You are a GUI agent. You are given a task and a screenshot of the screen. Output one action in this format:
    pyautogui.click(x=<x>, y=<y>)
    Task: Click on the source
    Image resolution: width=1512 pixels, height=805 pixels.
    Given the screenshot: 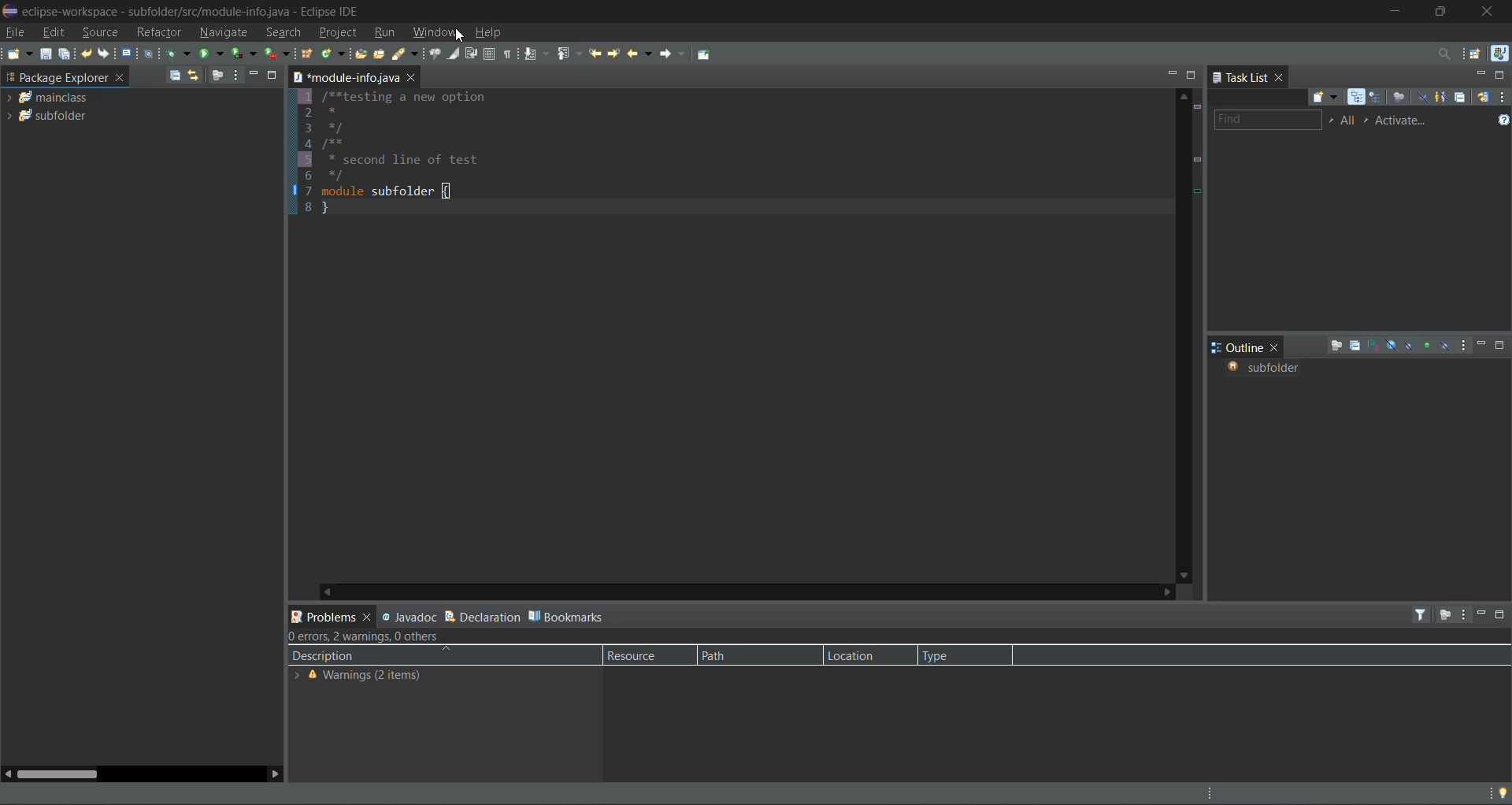 What is the action you would take?
    pyautogui.click(x=98, y=31)
    